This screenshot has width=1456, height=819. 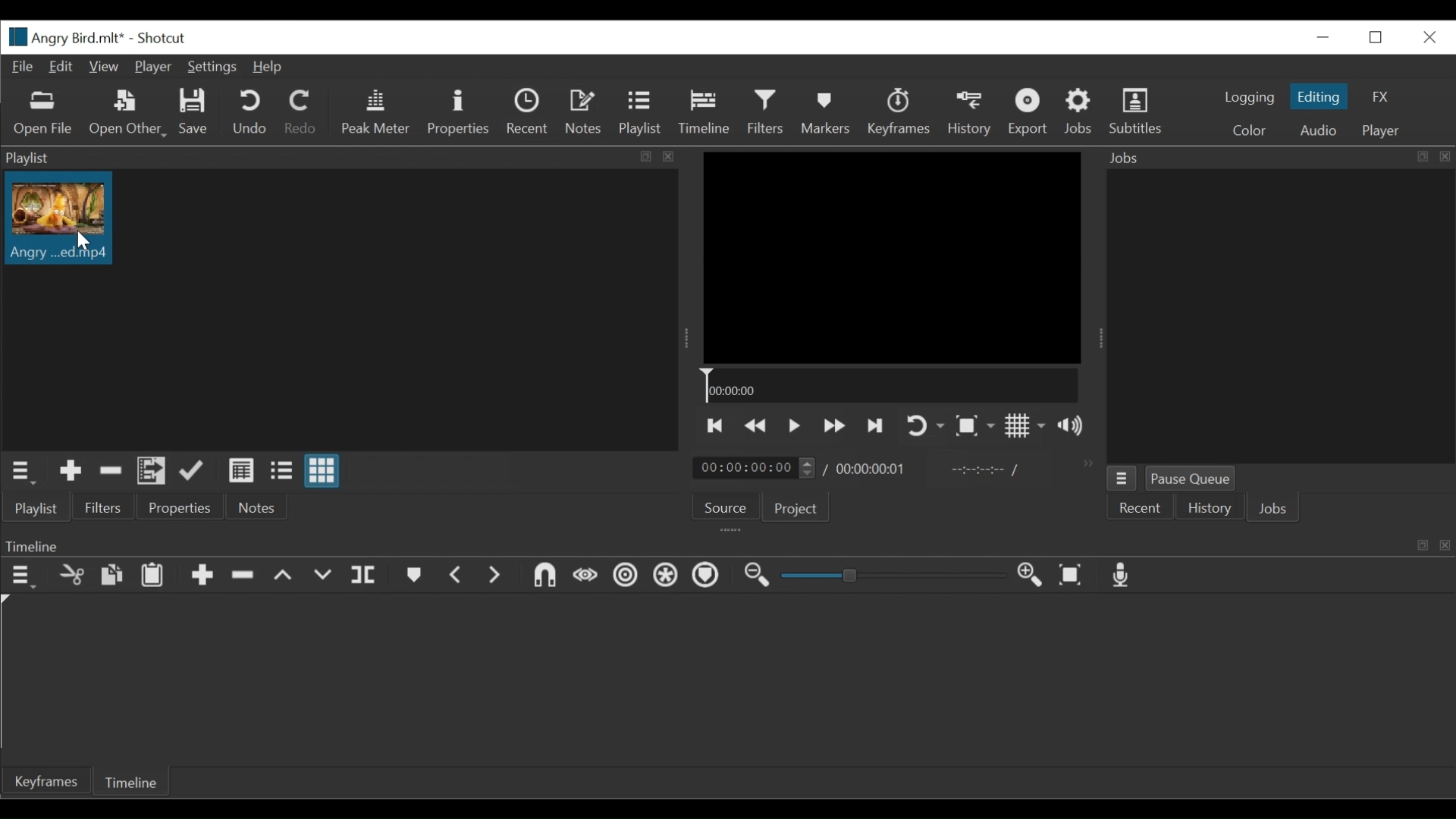 What do you see at coordinates (715, 425) in the screenshot?
I see `Skip to the previous point` at bounding box center [715, 425].